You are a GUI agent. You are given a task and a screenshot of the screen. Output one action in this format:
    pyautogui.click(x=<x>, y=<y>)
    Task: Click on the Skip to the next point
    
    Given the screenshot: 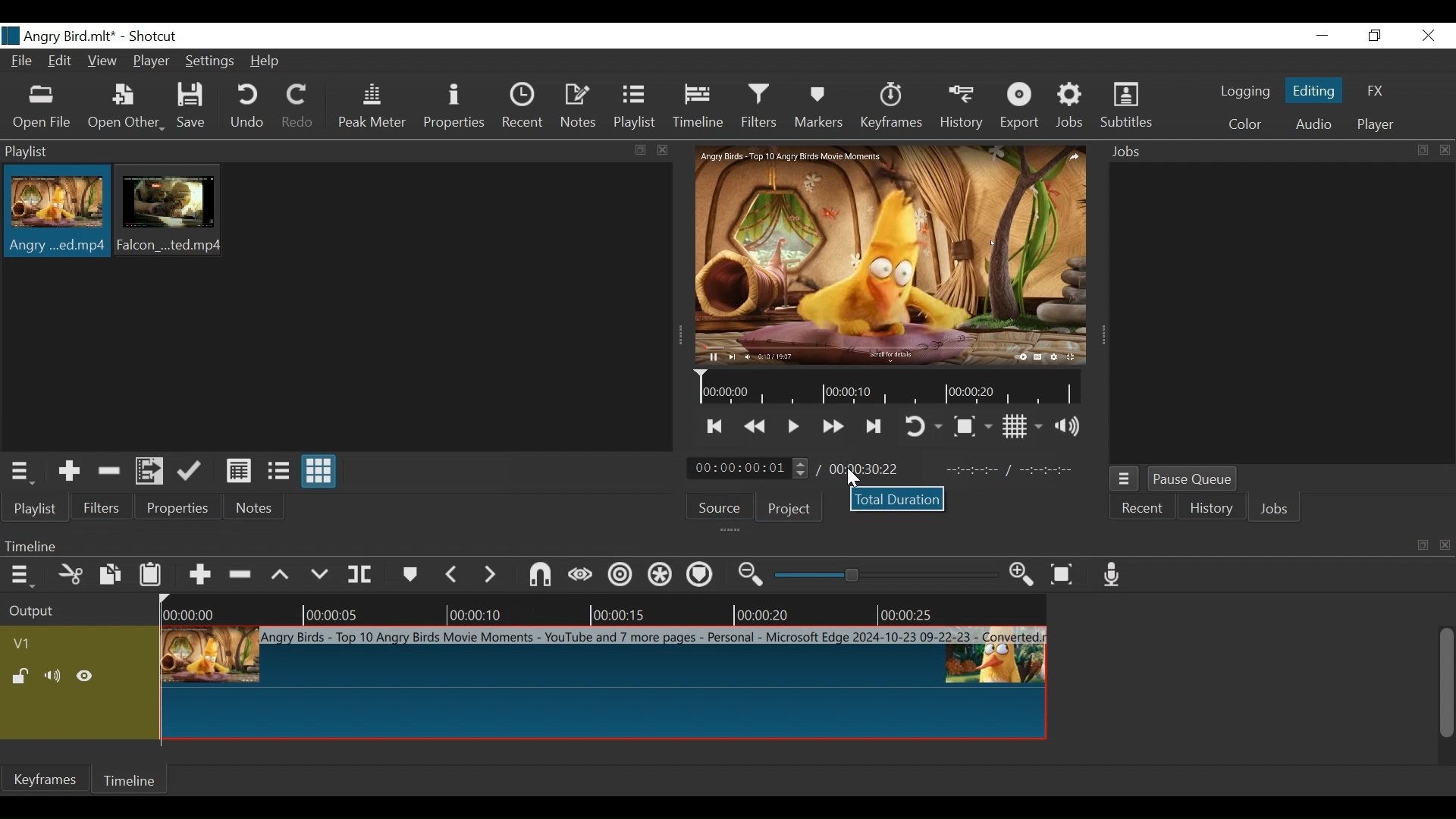 What is the action you would take?
    pyautogui.click(x=715, y=427)
    